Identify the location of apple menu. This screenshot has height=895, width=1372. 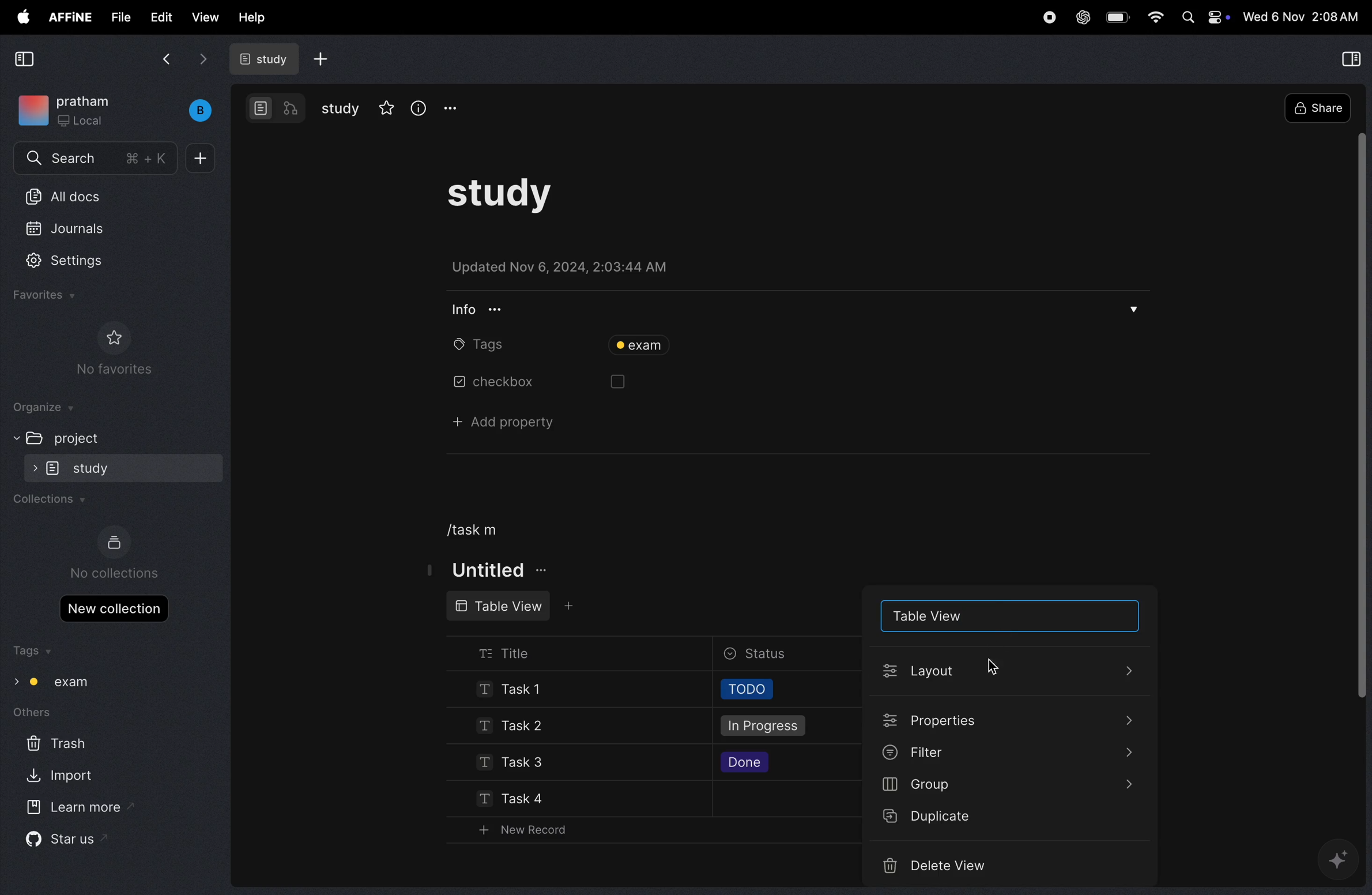
(19, 17).